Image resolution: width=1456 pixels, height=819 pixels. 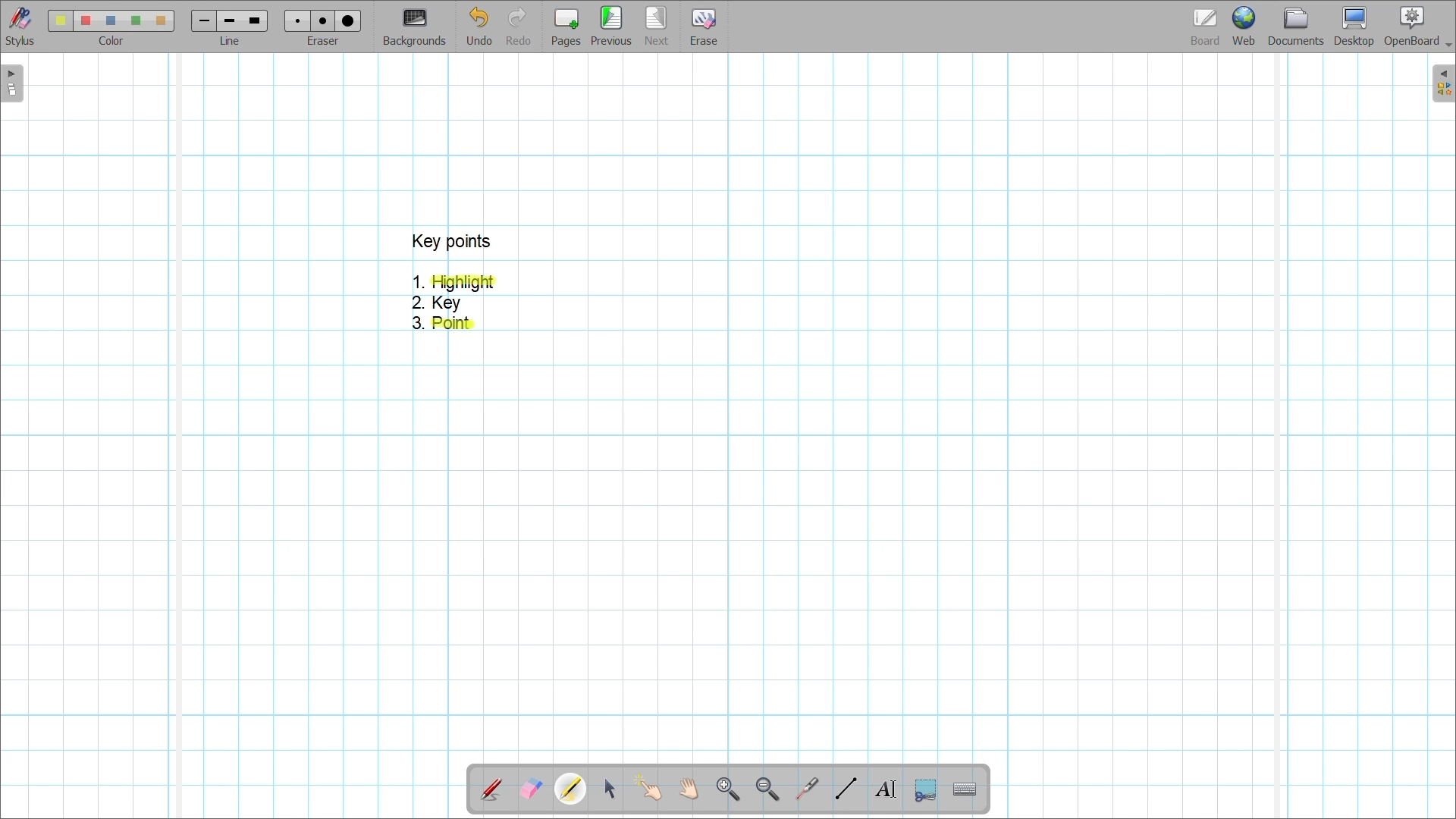 What do you see at coordinates (885, 789) in the screenshot?
I see `Write text` at bounding box center [885, 789].